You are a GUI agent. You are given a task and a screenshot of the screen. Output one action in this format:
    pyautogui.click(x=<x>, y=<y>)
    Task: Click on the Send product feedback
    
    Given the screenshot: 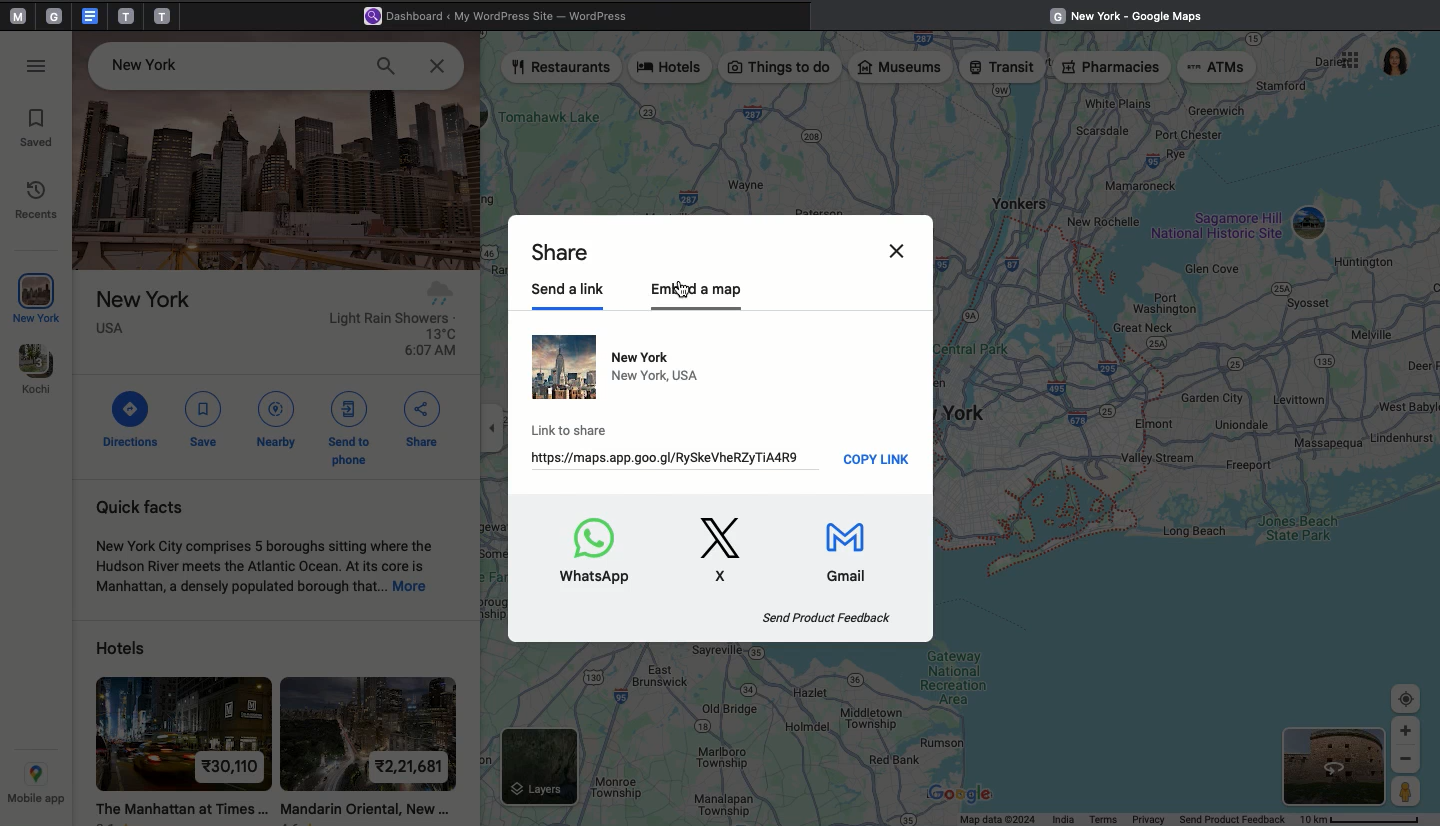 What is the action you would take?
    pyautogui.click(x=829, y=618)
    